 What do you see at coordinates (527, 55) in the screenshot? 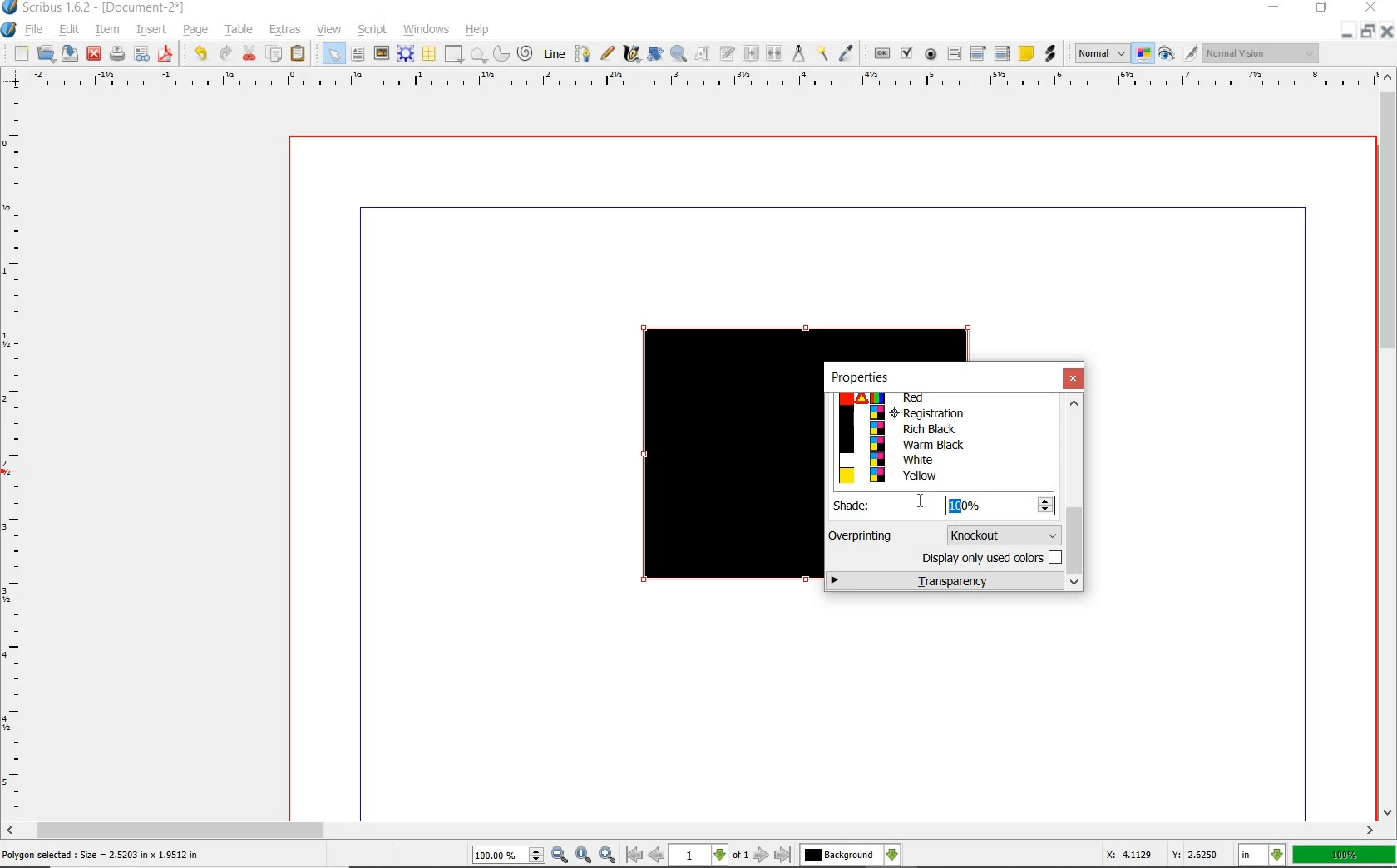
I see `spiral` at bounding box center [527, 55].